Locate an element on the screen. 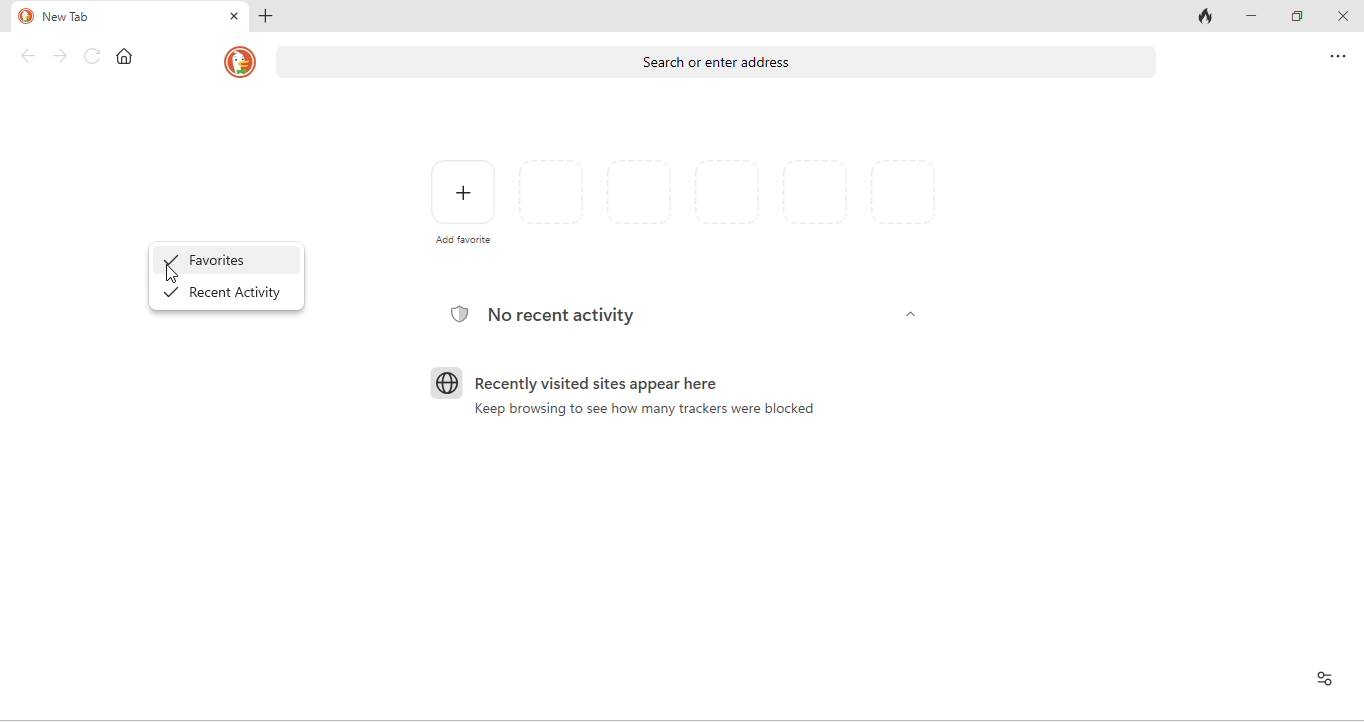  add favorite is located at coordinates (463, 199).